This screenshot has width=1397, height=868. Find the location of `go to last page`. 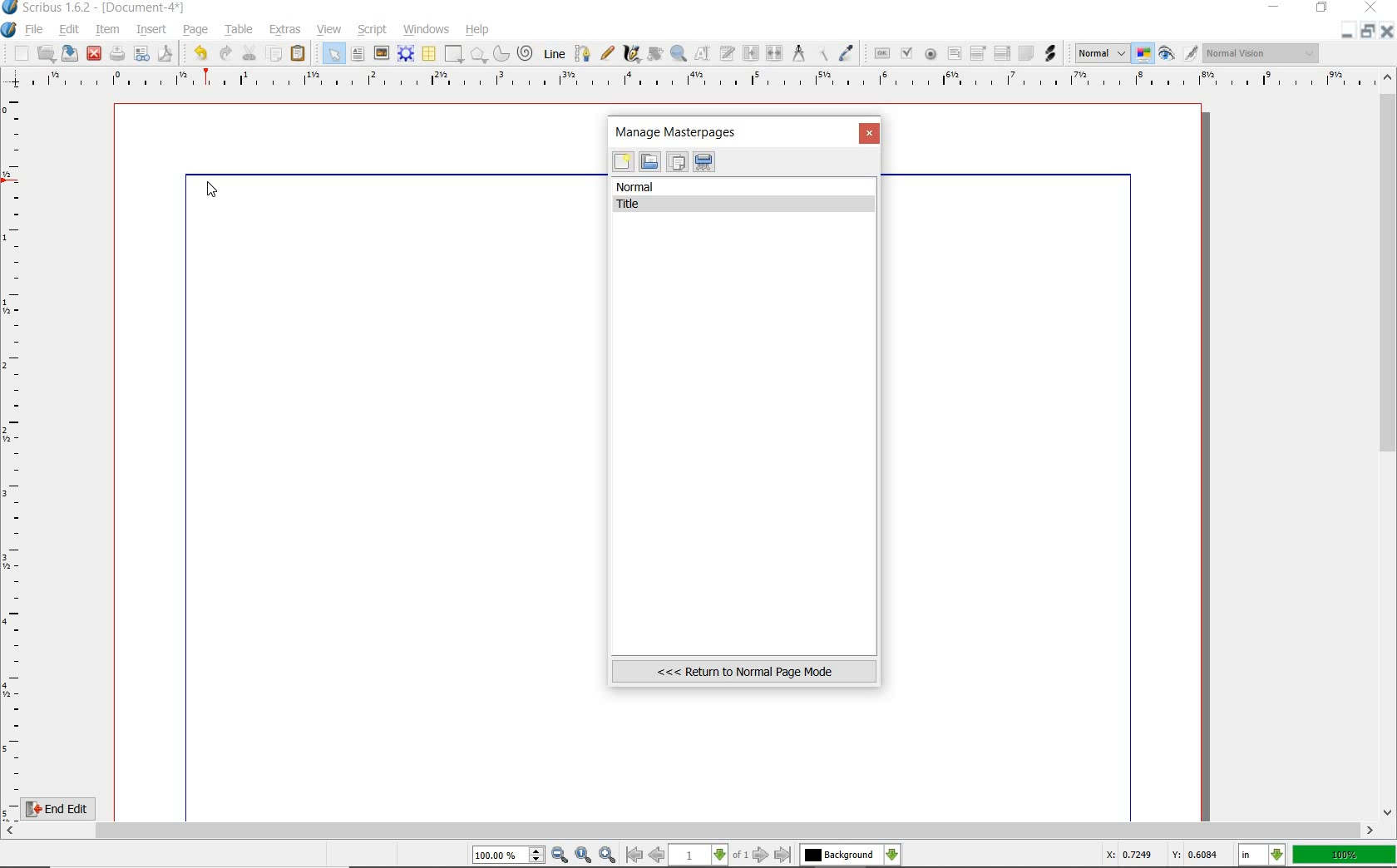

go to last page is located at coordinates (783, 855).